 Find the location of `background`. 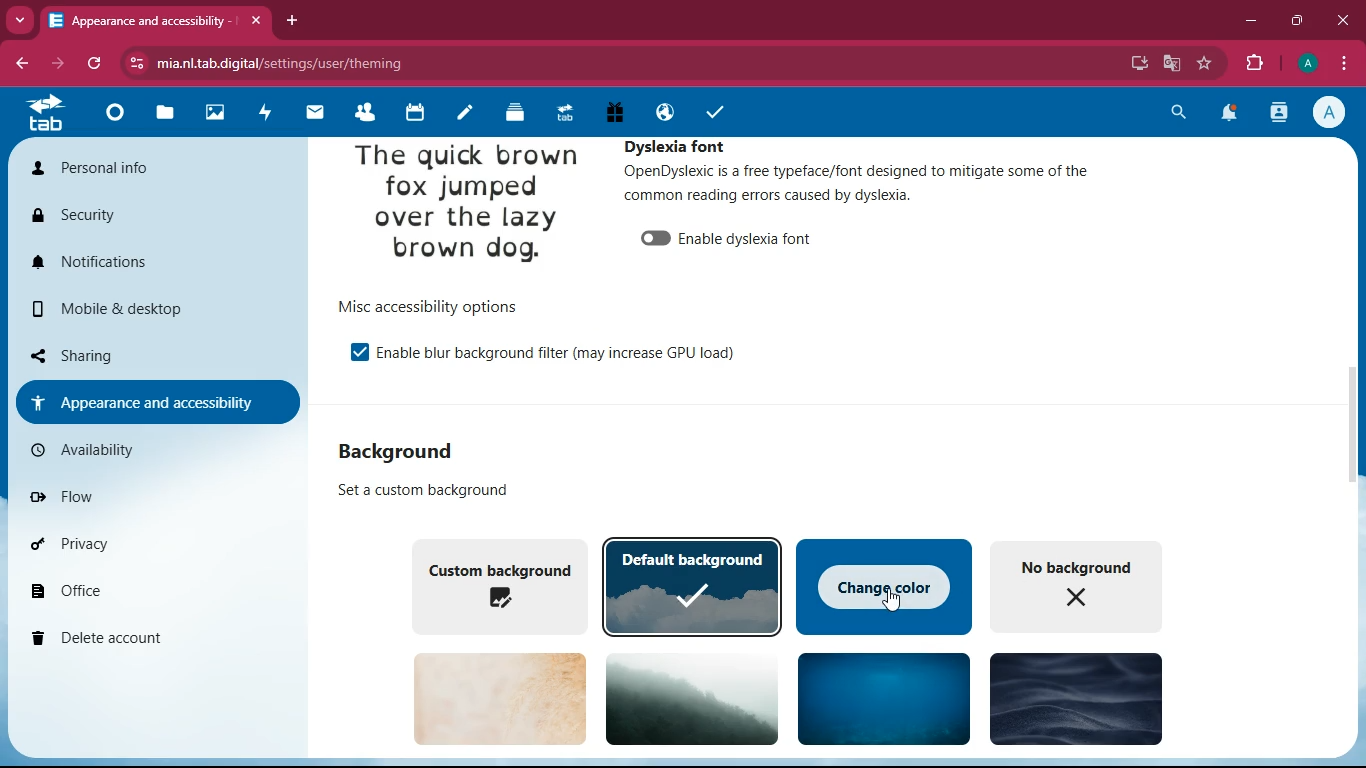

background is located at coordinates (1074, 697).